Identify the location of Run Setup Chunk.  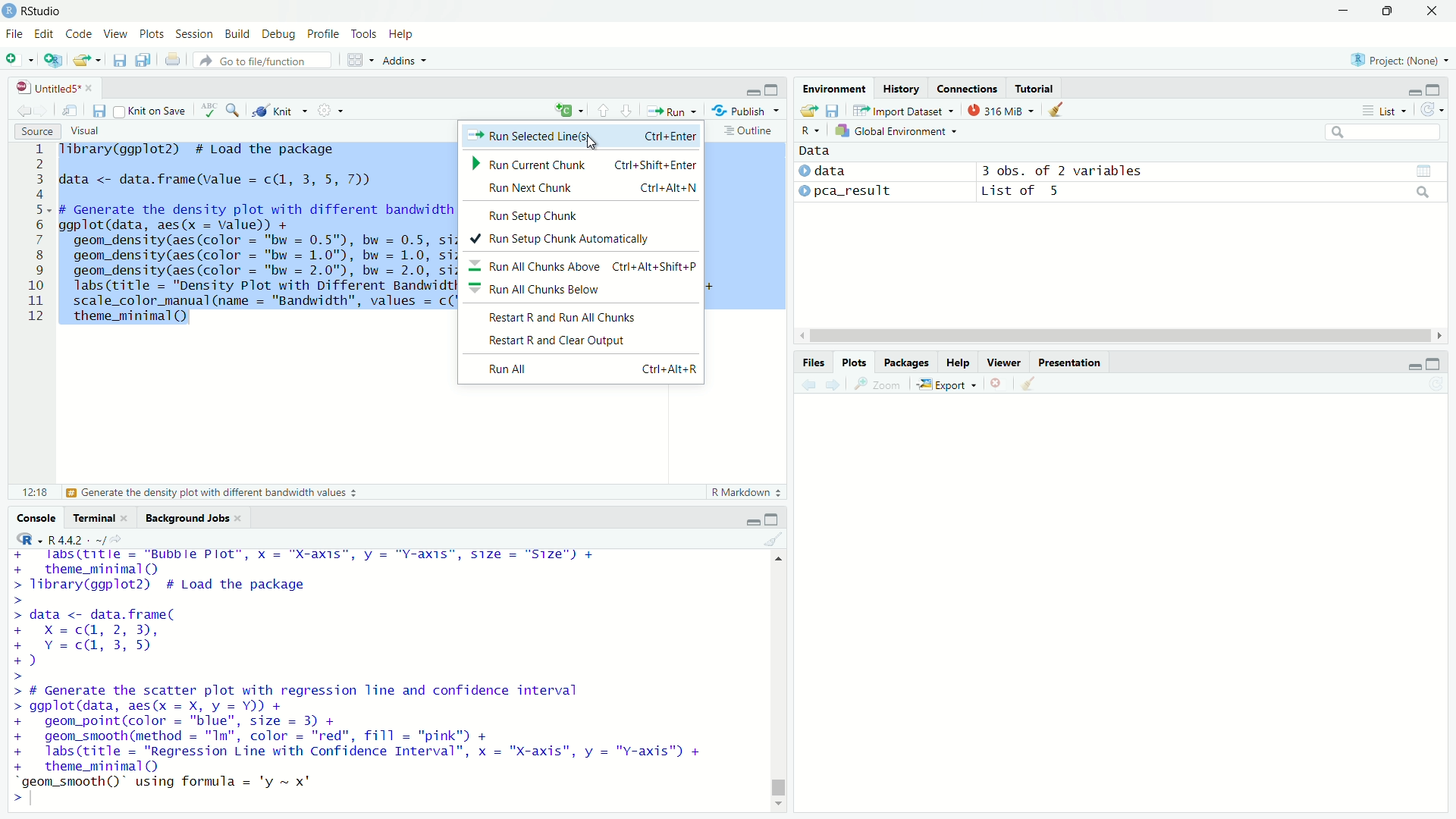
(582, 214).